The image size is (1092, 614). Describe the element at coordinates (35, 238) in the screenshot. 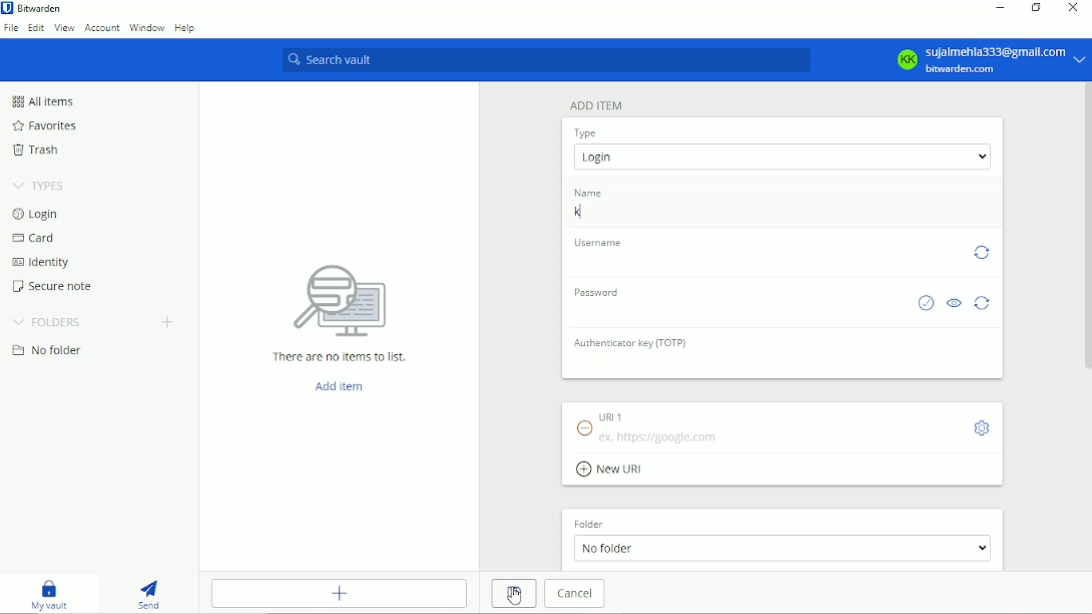

I see `Card` at that location.